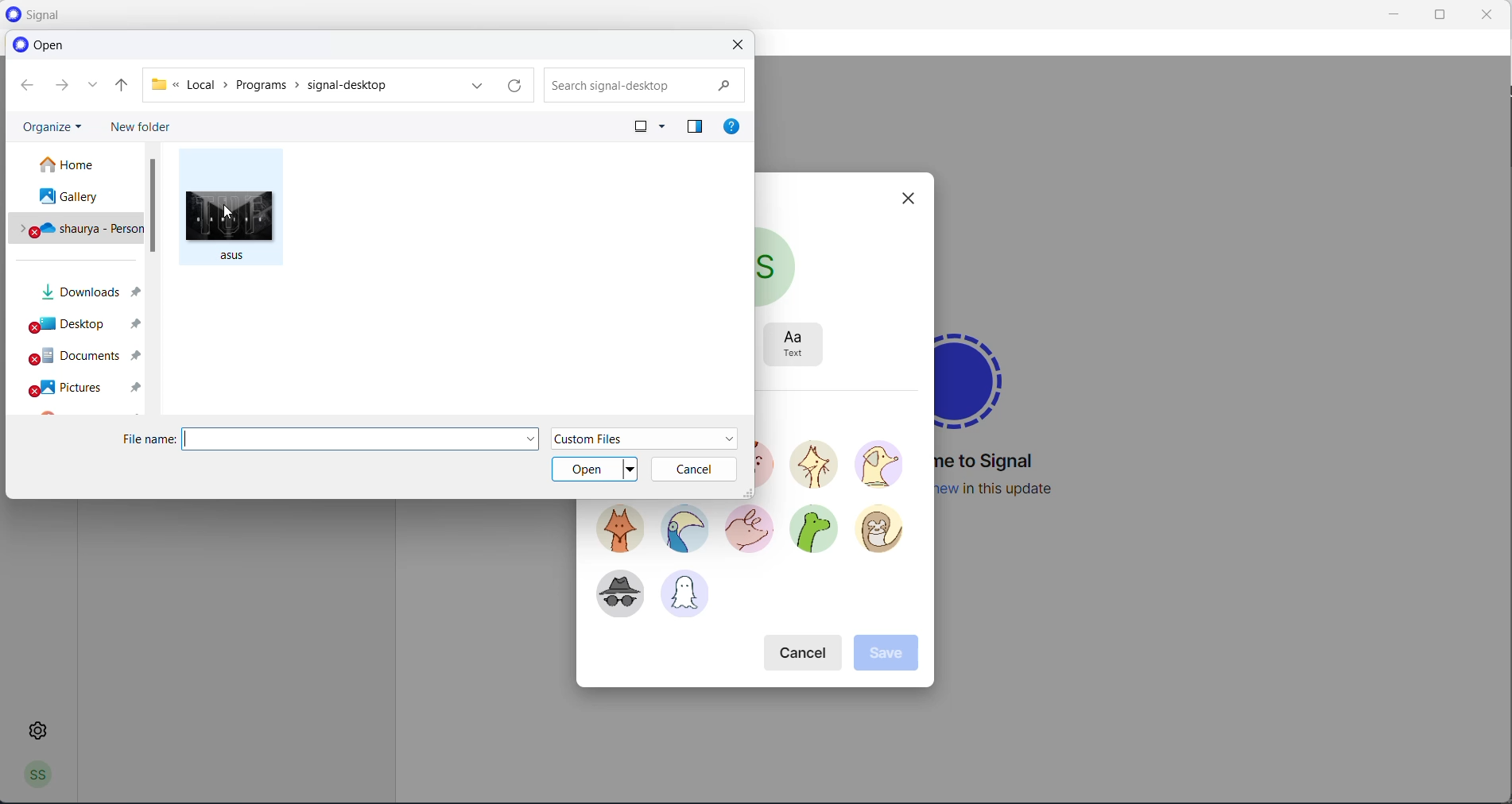 The image size is (1512, 804). What do you see at coordinates (52, 125) in the screenshot?
I see `organize` at bounding box center [52, 125].